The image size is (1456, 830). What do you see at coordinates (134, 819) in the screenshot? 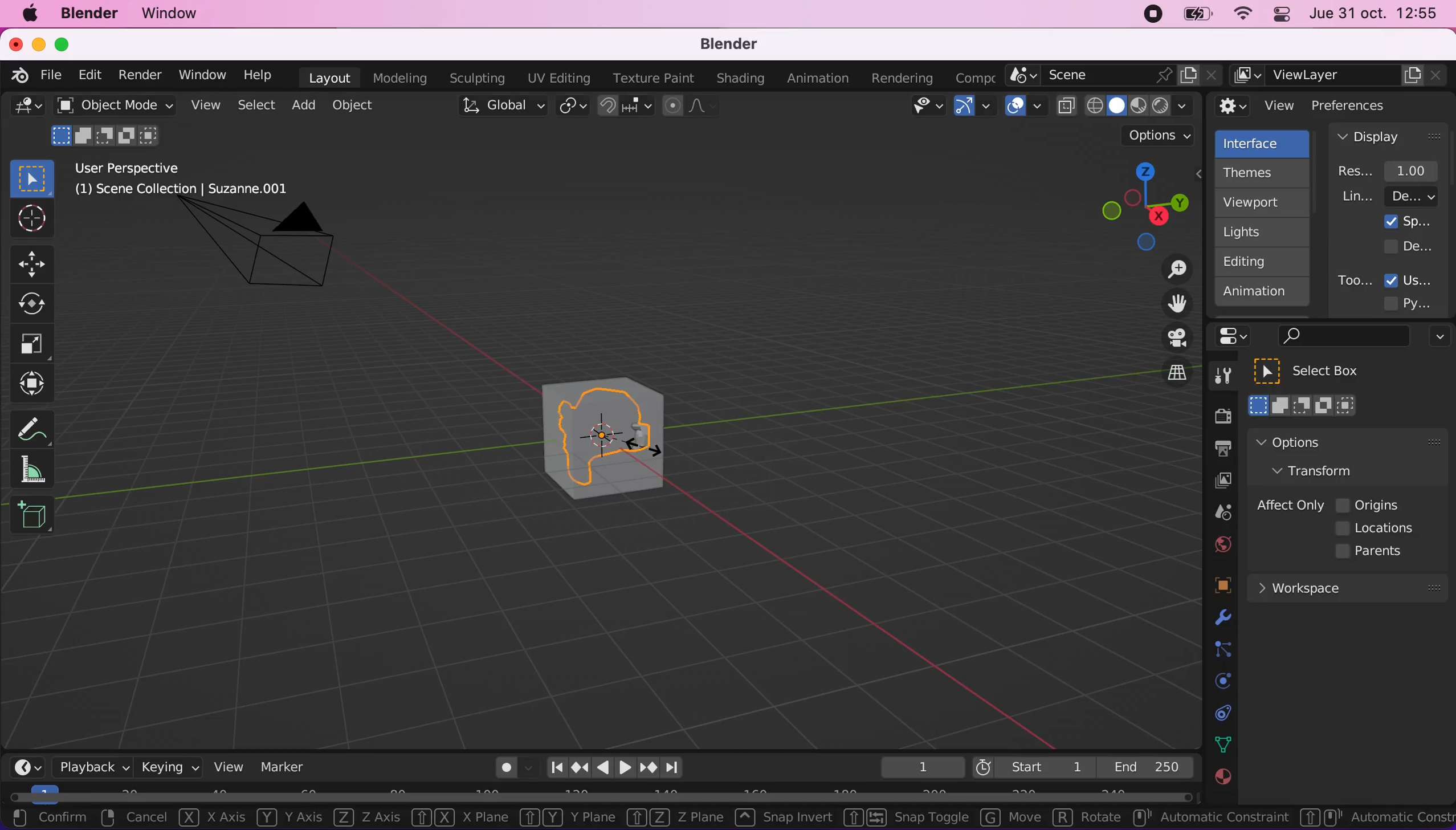
I see `cancel` at bounding box center [134, 819].